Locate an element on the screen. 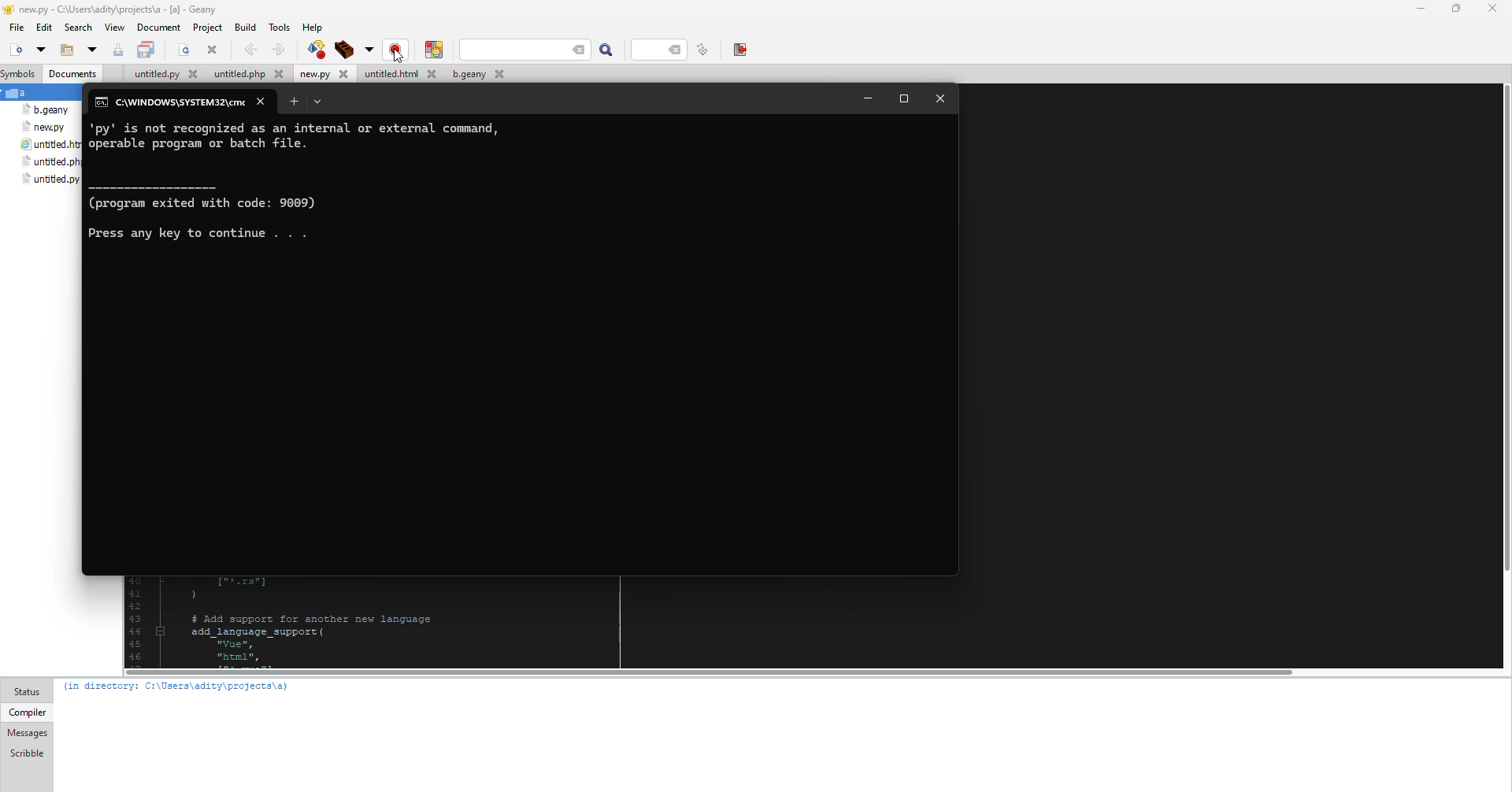  search is located at coordinates (608, 50).